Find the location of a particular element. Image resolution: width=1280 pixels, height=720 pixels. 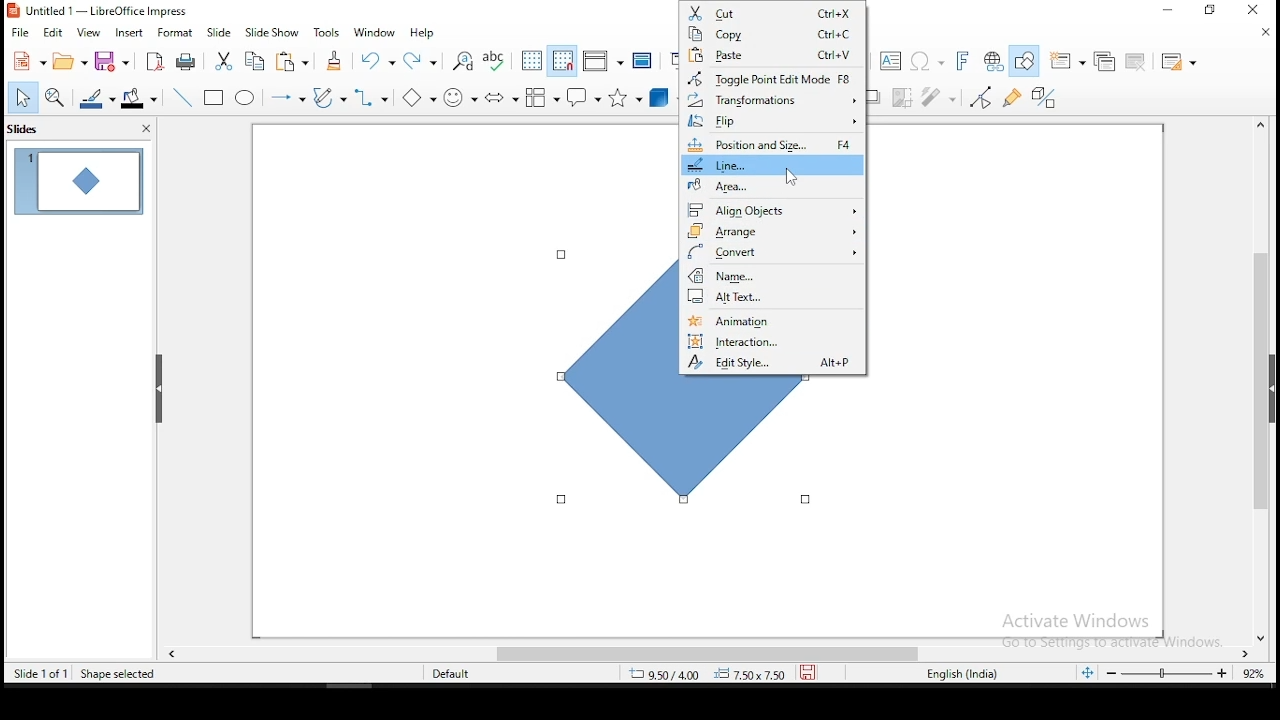

 is located at coordinates (964, 61).